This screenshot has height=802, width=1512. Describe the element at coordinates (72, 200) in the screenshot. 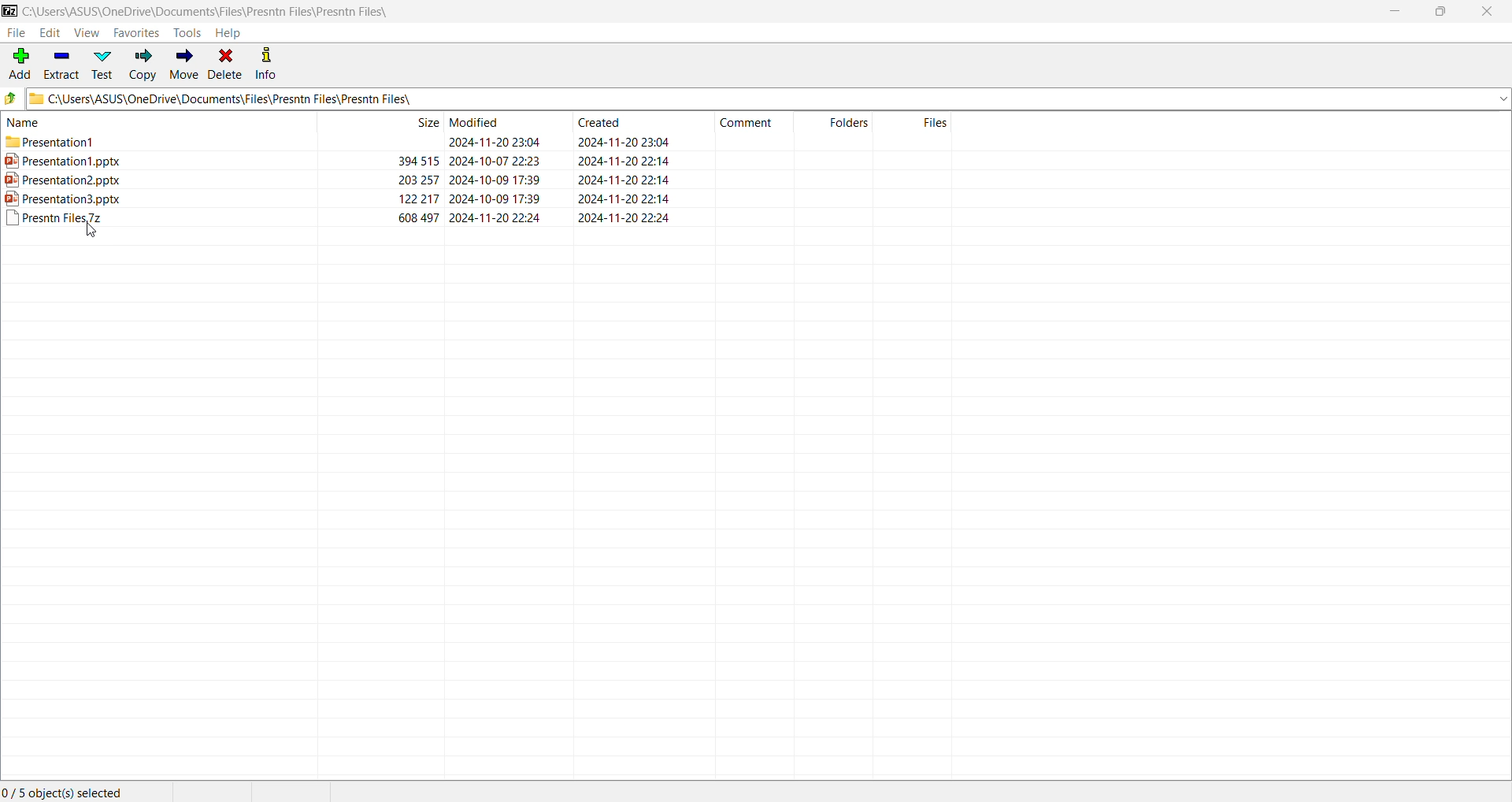

I see ` Presentation3.pptx` at that location.